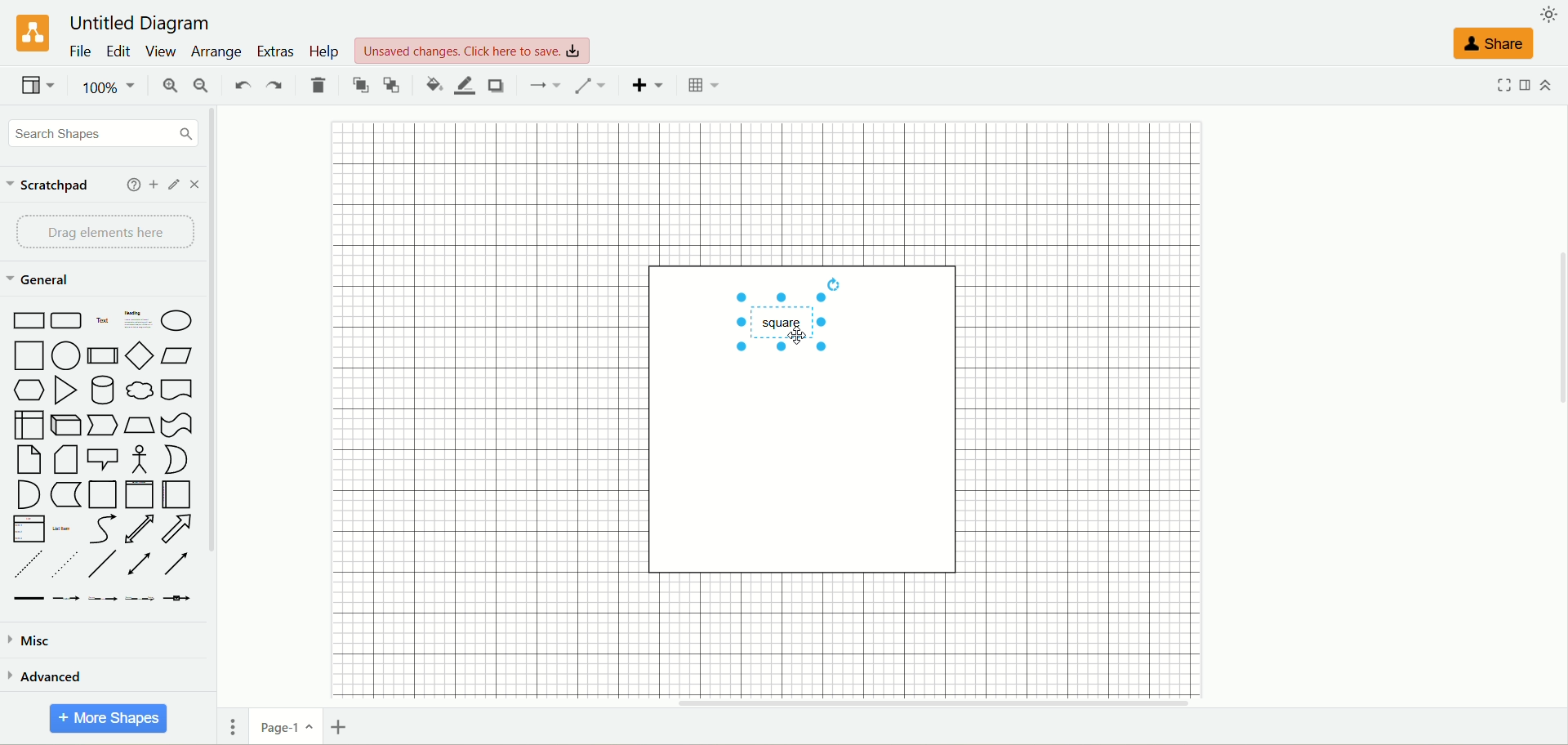 The width and height of the screenshot is (1568, 745). What do you see at coordinates (56, 189) in the screenshot?
I see `scratchpad` at bounding box center [56, 189].